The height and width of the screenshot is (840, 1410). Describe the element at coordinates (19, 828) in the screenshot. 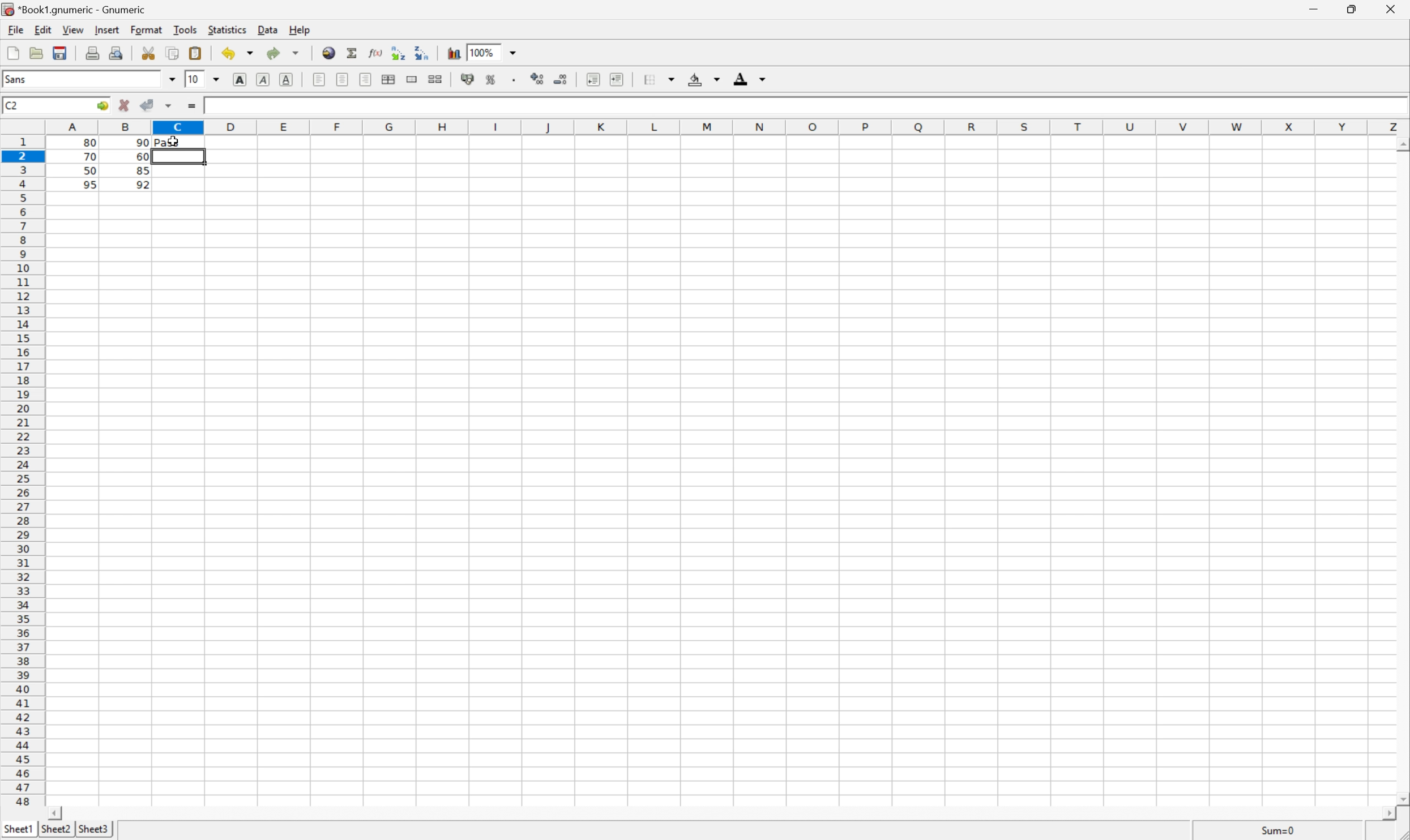

I see `Sheet1` at that location.